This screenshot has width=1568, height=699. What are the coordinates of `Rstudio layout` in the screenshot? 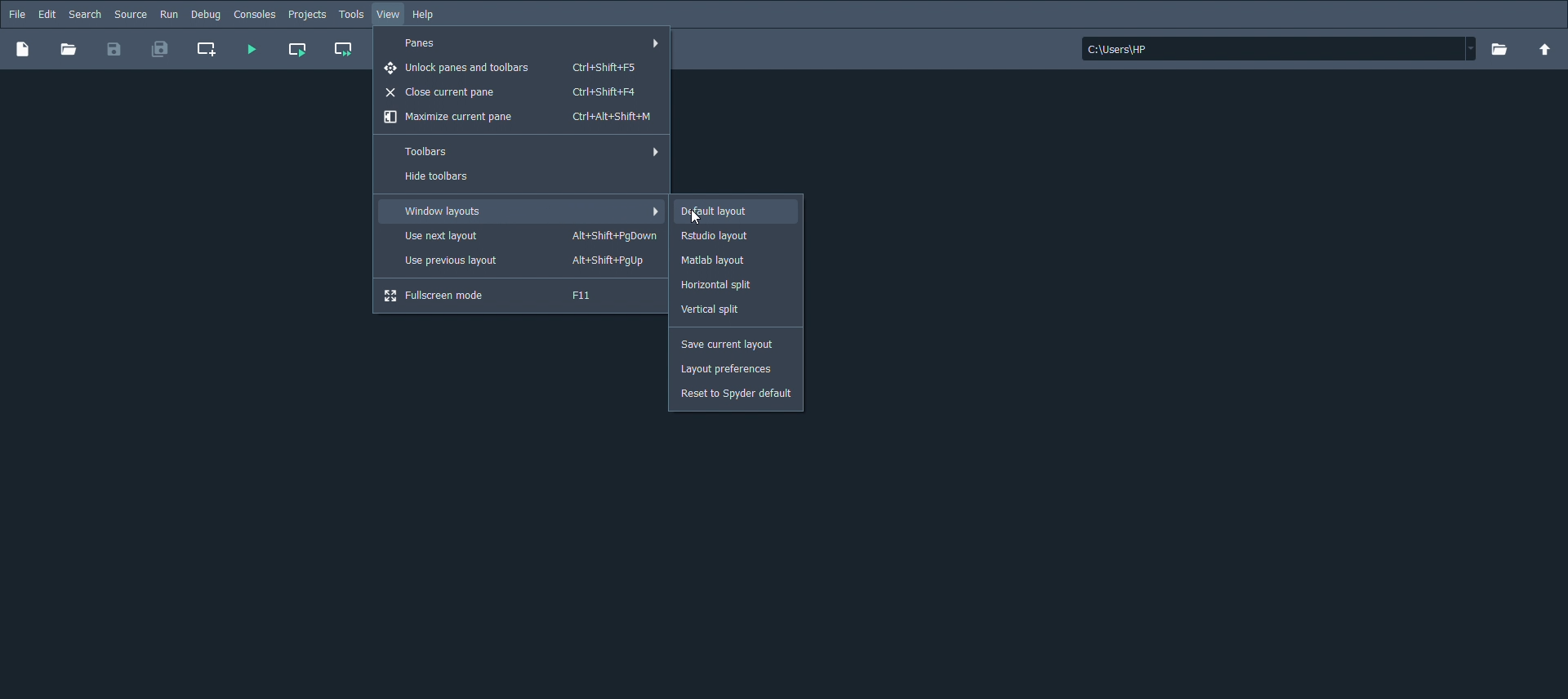 It's located at (715, 238).